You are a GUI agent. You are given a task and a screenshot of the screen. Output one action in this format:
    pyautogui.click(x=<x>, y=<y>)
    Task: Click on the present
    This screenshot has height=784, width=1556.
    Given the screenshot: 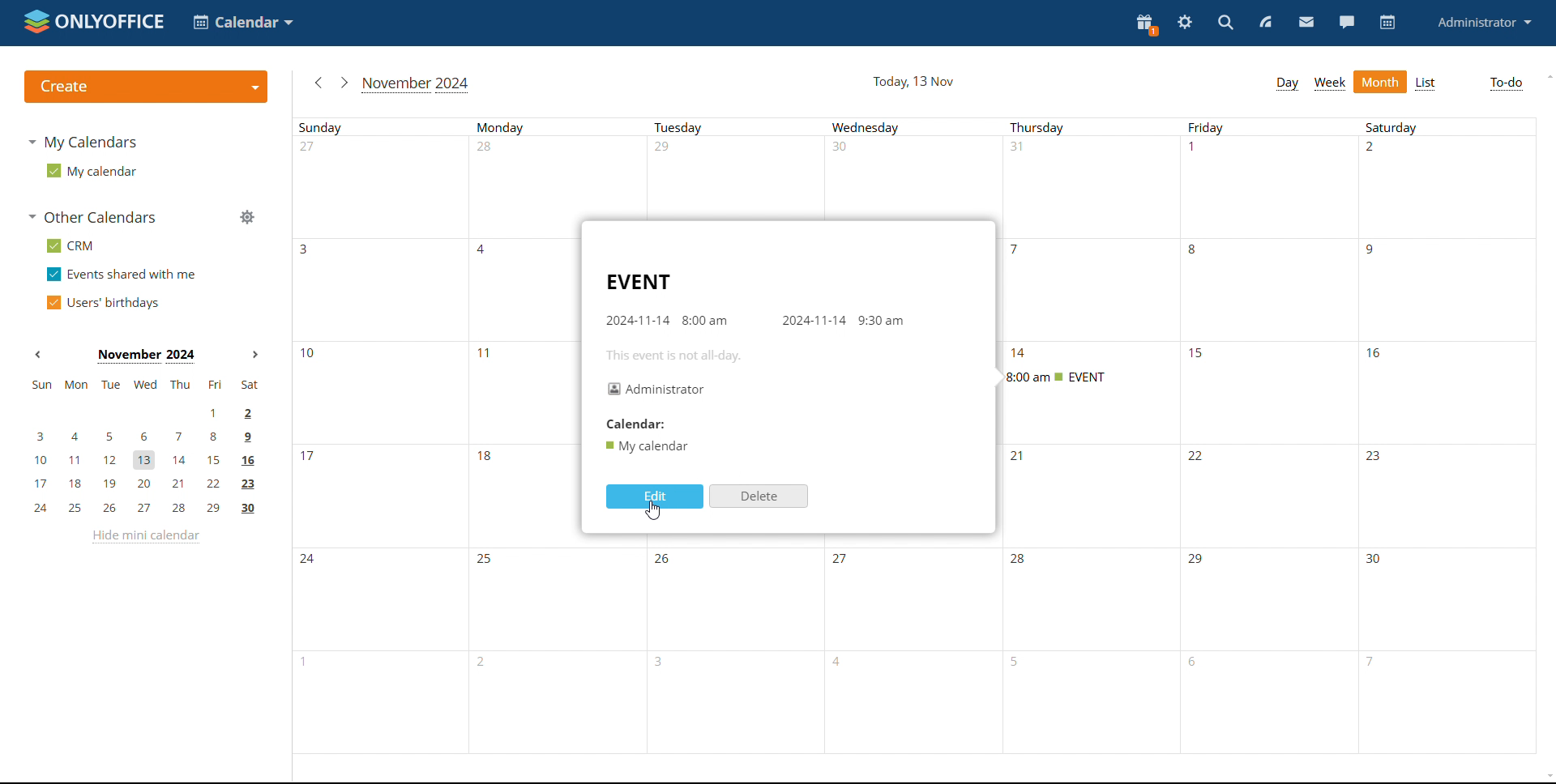 What is the action you would take?
    pyautogui.click(x=1145, y=25)
    